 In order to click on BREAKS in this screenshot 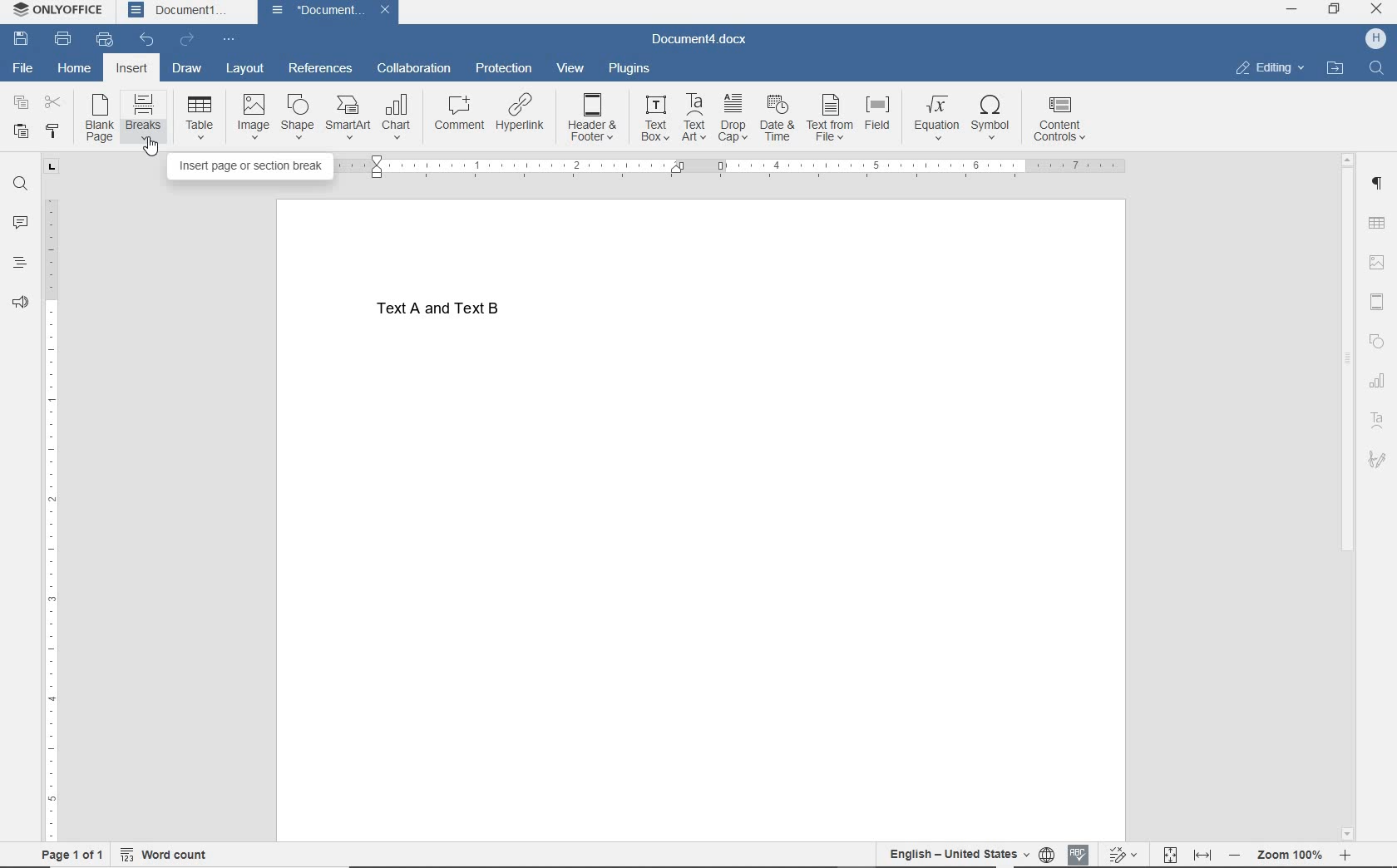, I will do `click(146, 119)`.